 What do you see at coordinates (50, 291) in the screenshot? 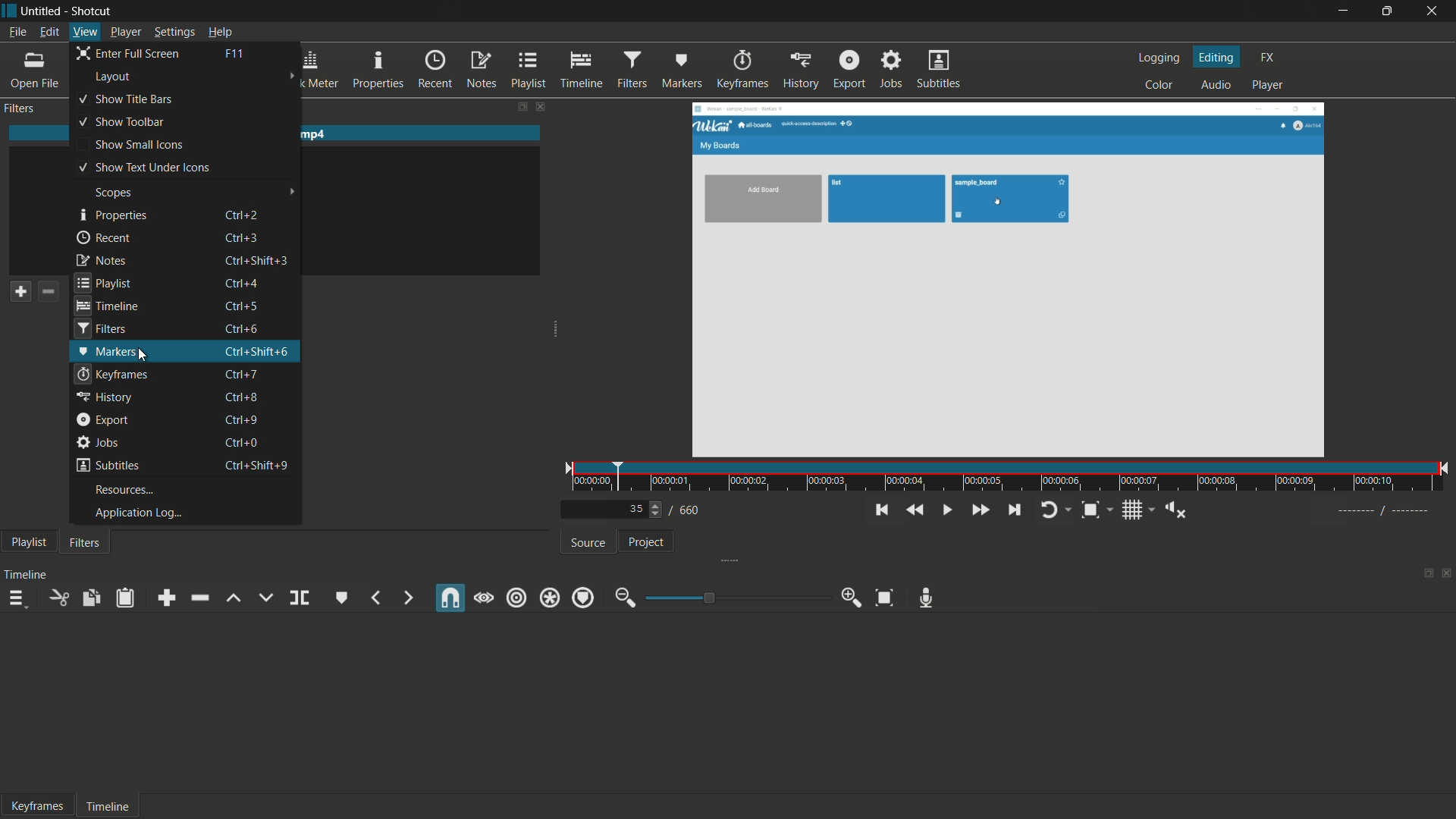
I see `remove a filter` at bounding box center [50, 291].